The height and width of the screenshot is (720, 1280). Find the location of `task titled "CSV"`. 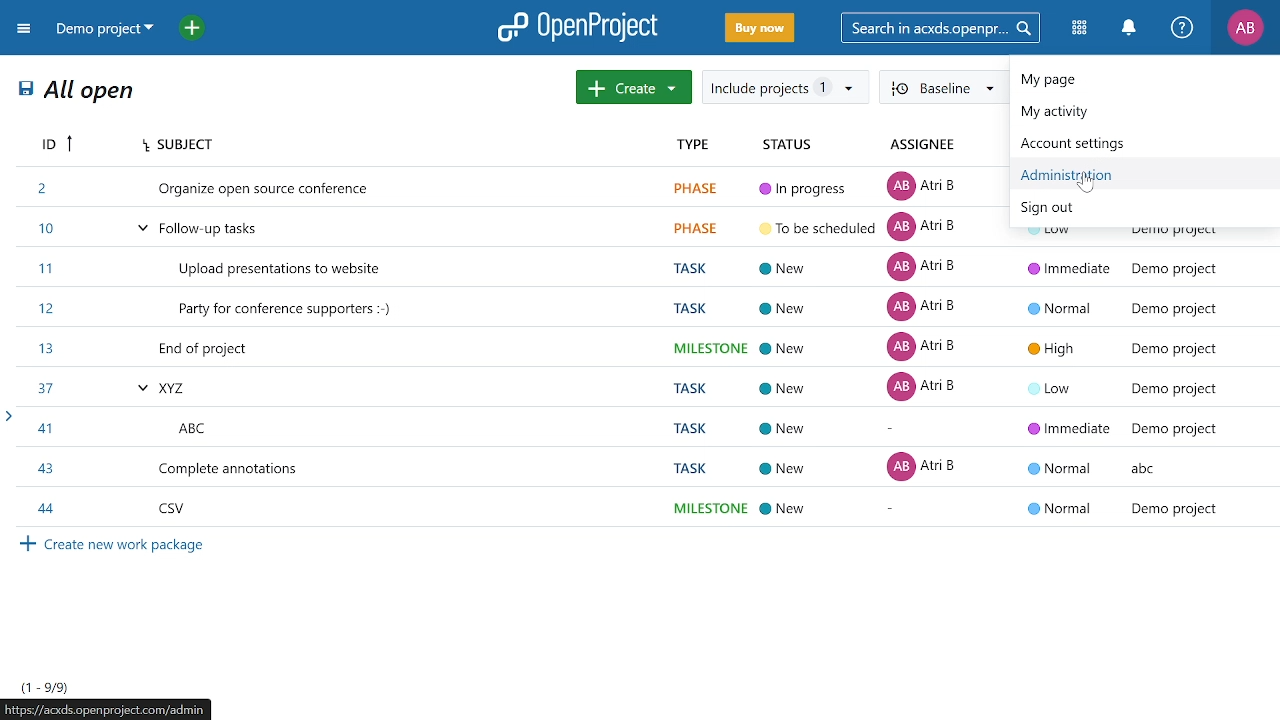

task titled "CSV" is located at coordinates (641, 509).